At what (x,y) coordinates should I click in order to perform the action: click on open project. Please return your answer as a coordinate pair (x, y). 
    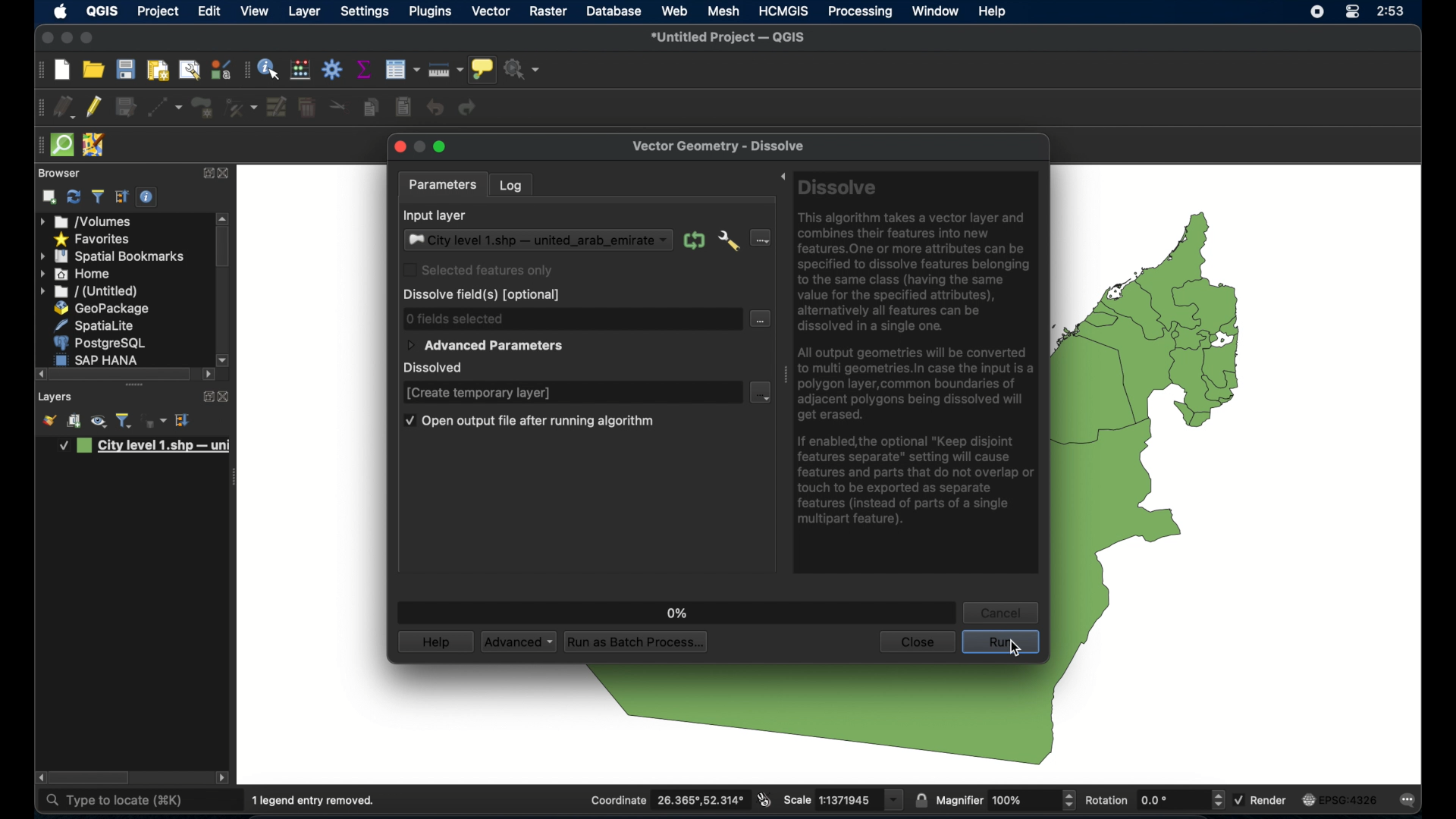
    Looking at the image, I should click on (93, 69).